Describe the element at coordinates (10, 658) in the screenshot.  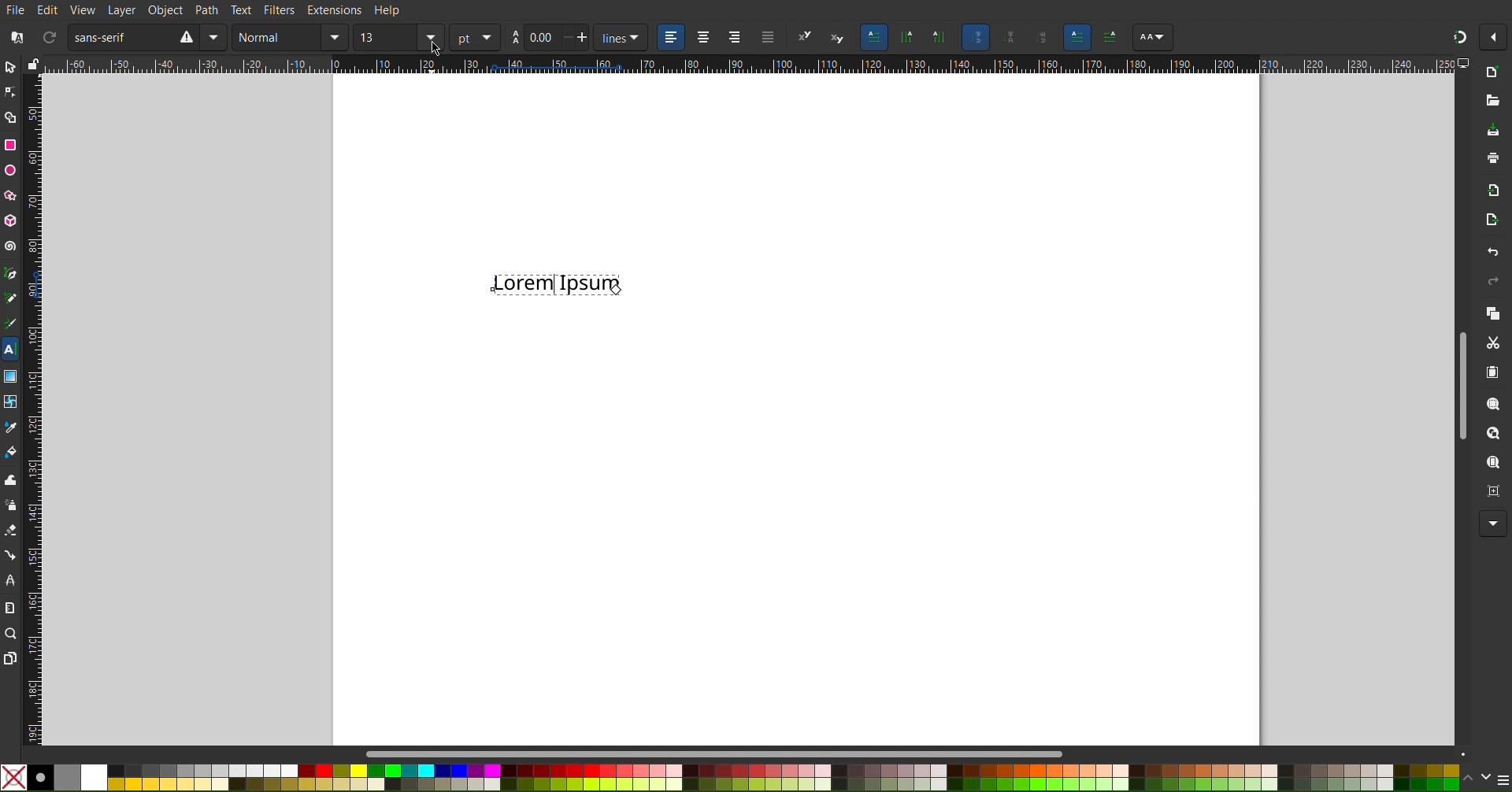
I see `Pages Tool` at that location.